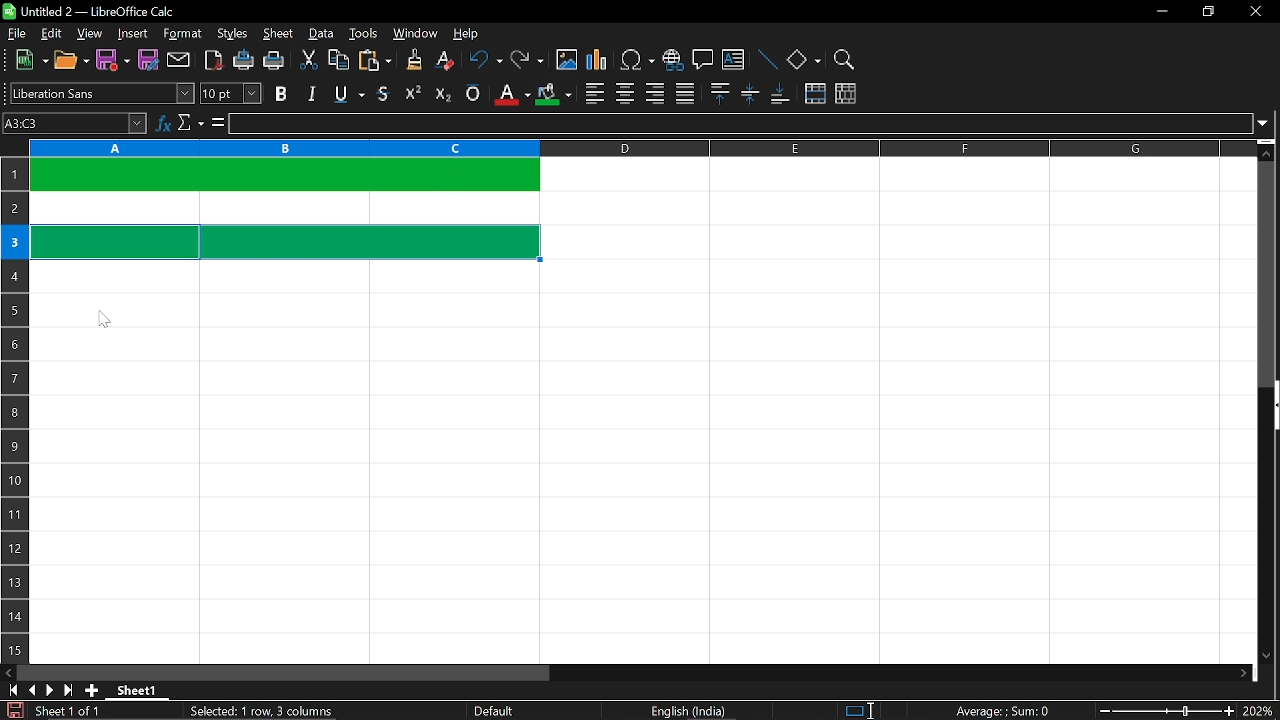  What do you see at coordinates (413, 93) in the screenshot?
I see `supercript` at bounding box center [413, 93].